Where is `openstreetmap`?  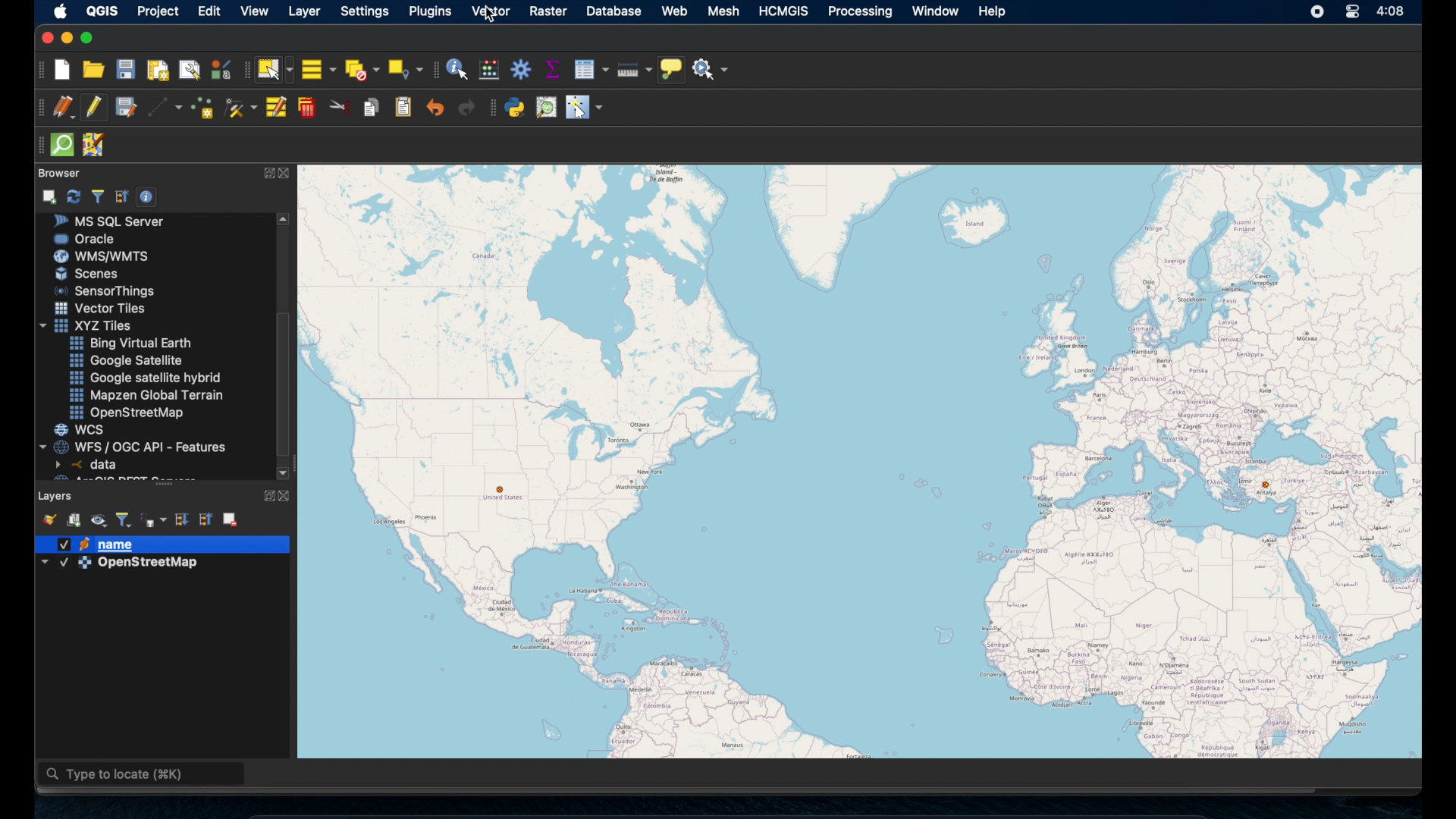 openstreetmap is located at coordinates (130, 413).